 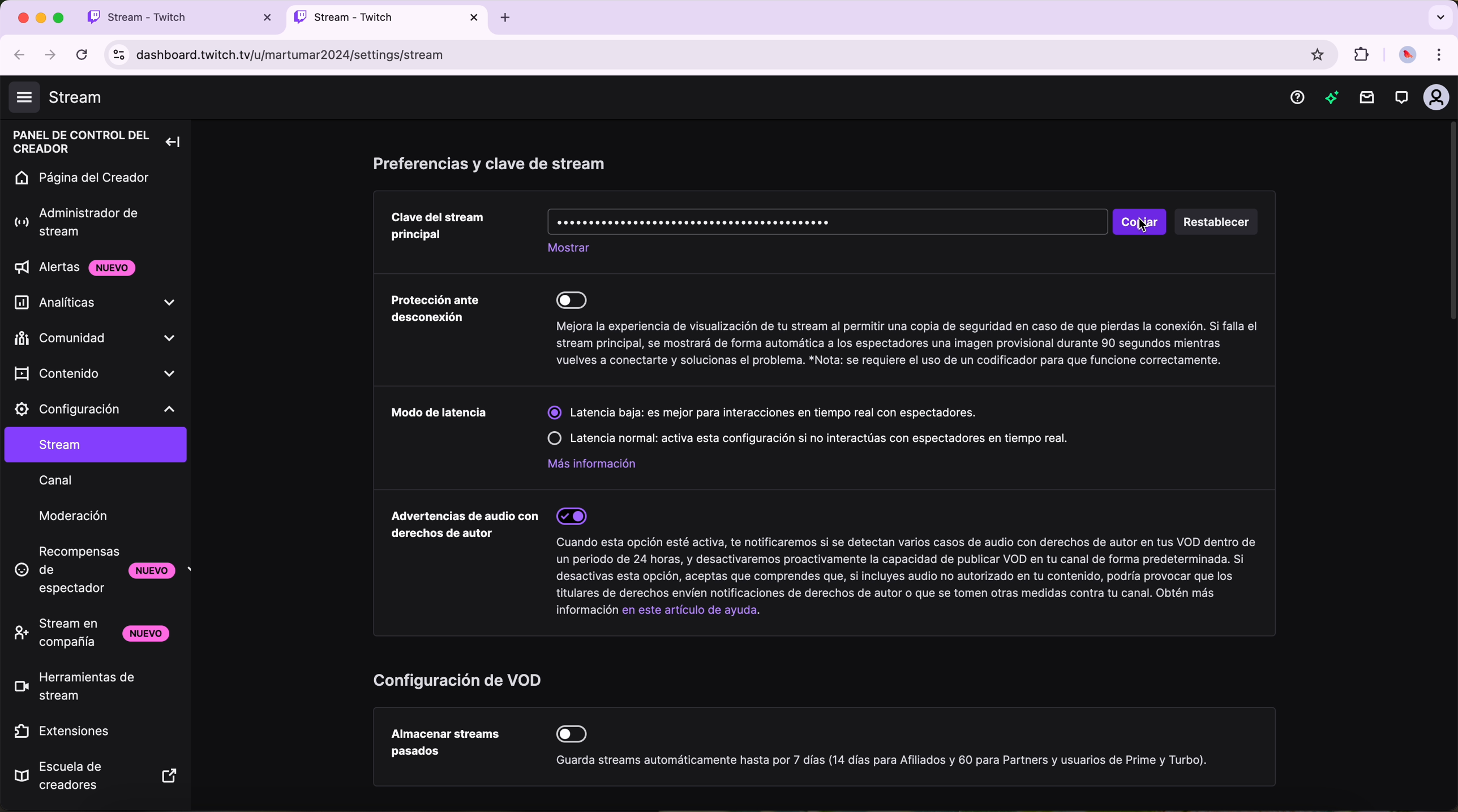 I want to click on settings, so click(x=94, y=412).